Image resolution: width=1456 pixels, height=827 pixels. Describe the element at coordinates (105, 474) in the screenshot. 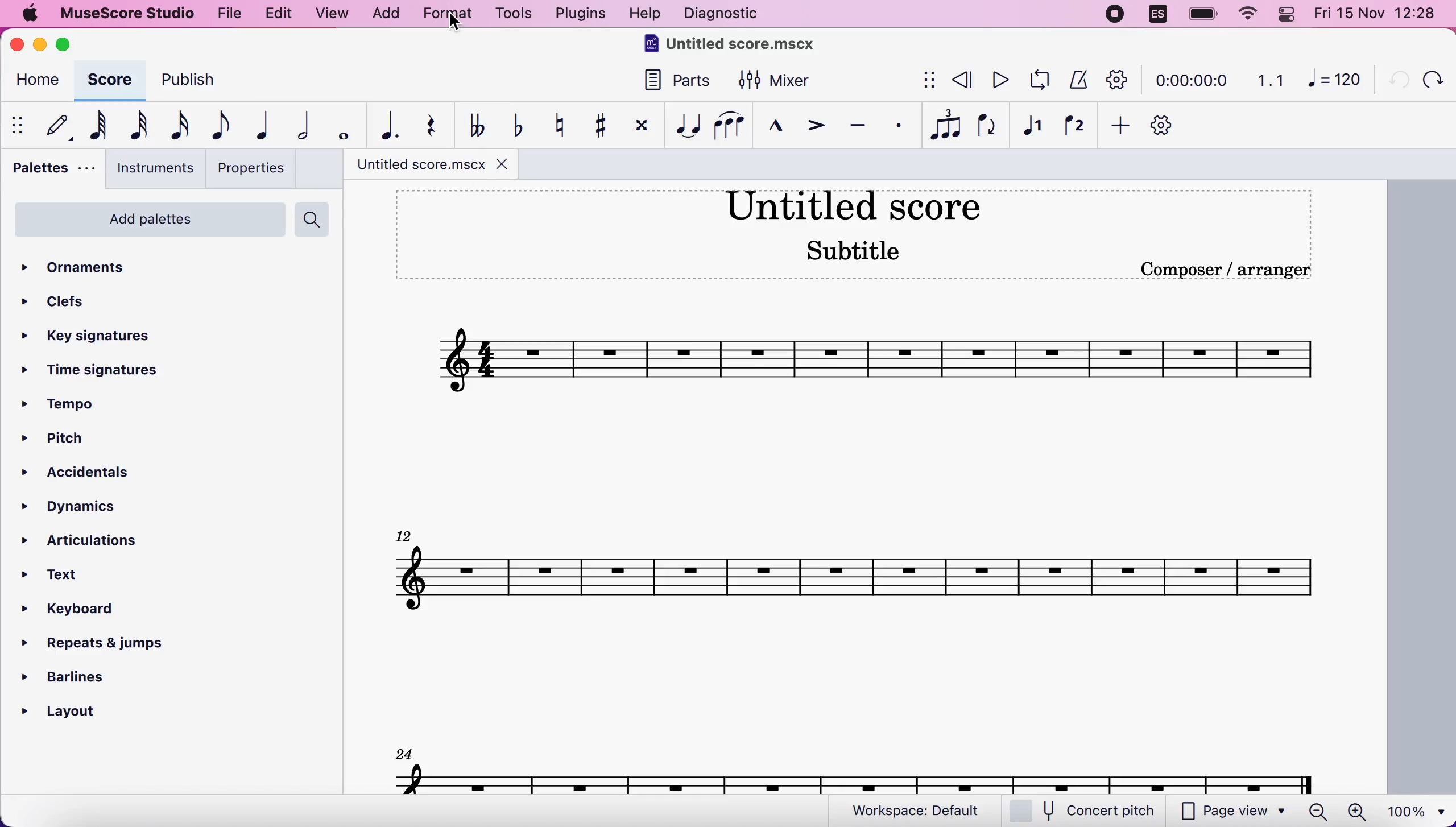

I see `accidentals` at that location.